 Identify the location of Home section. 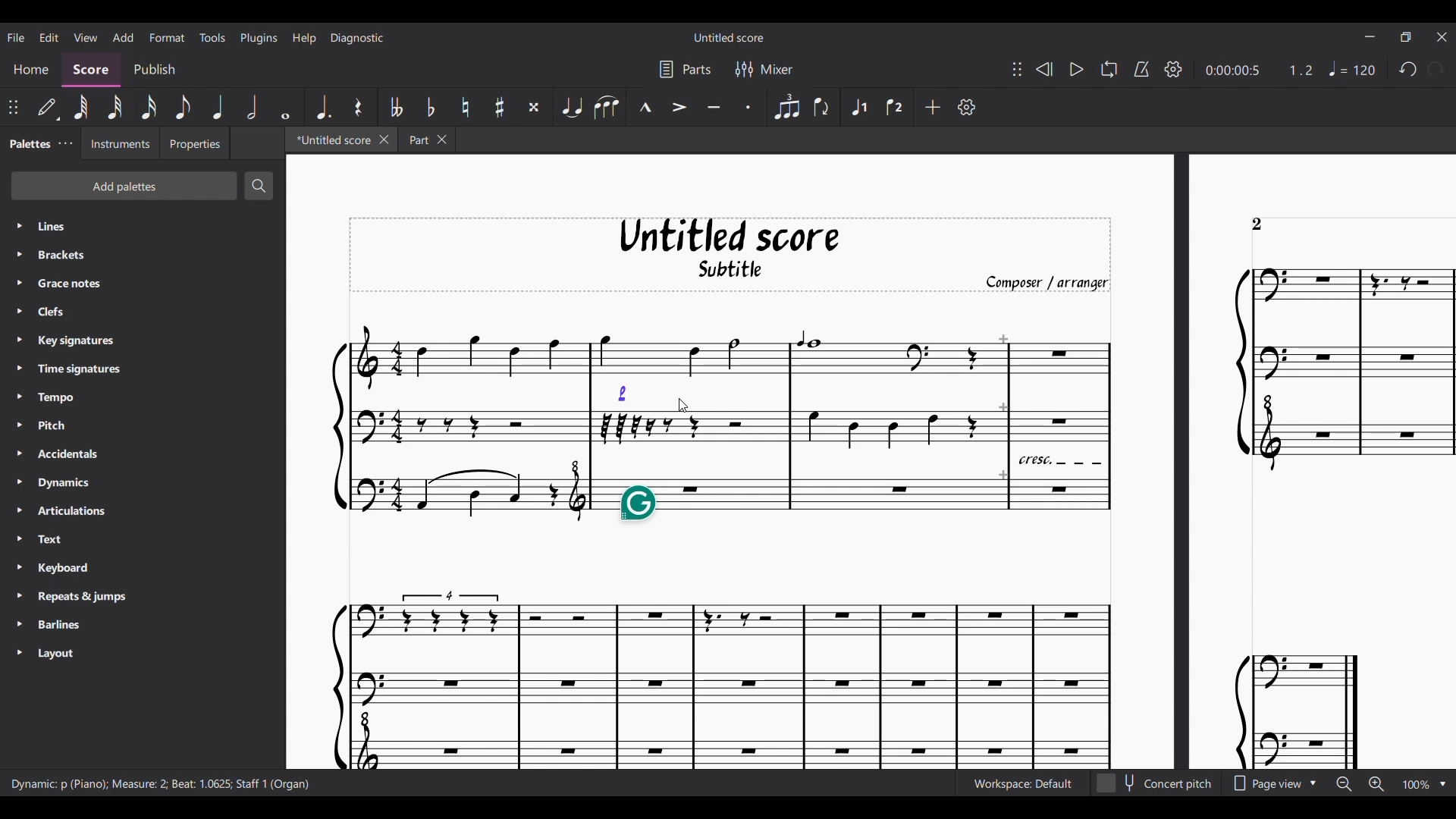
(33, 70).